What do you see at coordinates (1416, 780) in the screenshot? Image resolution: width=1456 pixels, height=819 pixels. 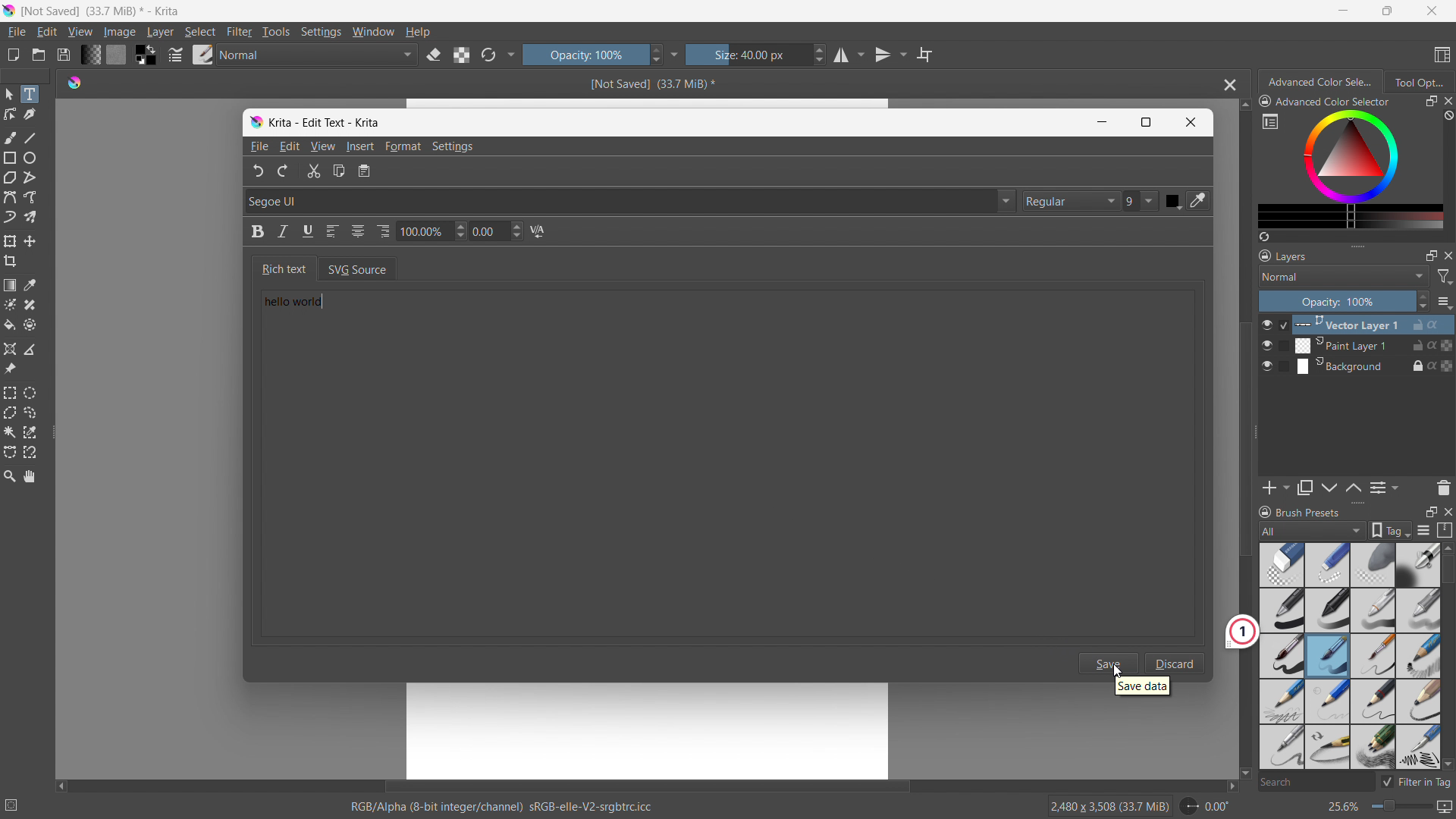 I see `filter in tag` at bounding box center [1416, 780].